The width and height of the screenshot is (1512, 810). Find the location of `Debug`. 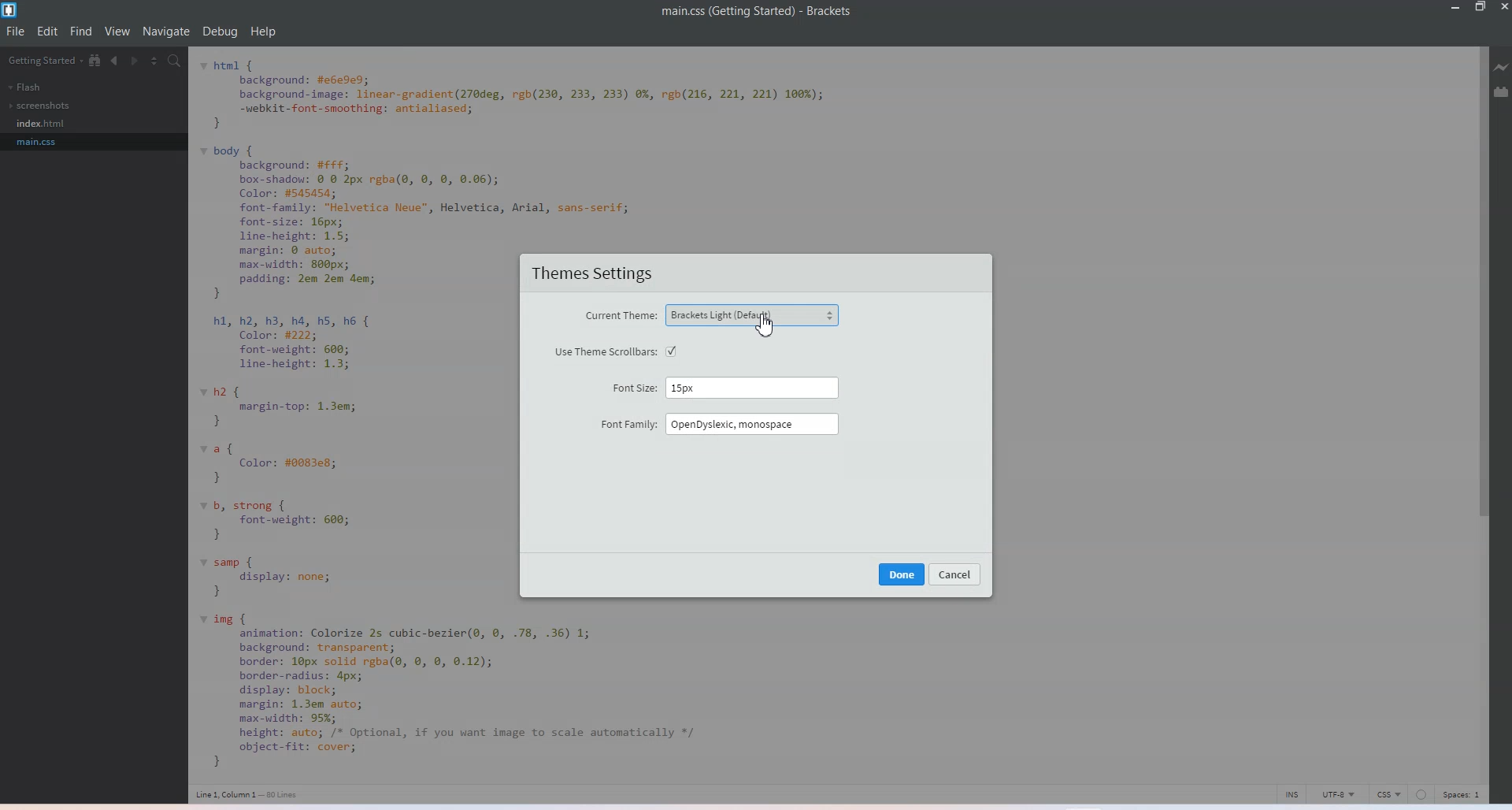

Debug is located at coordinates (220, 32).